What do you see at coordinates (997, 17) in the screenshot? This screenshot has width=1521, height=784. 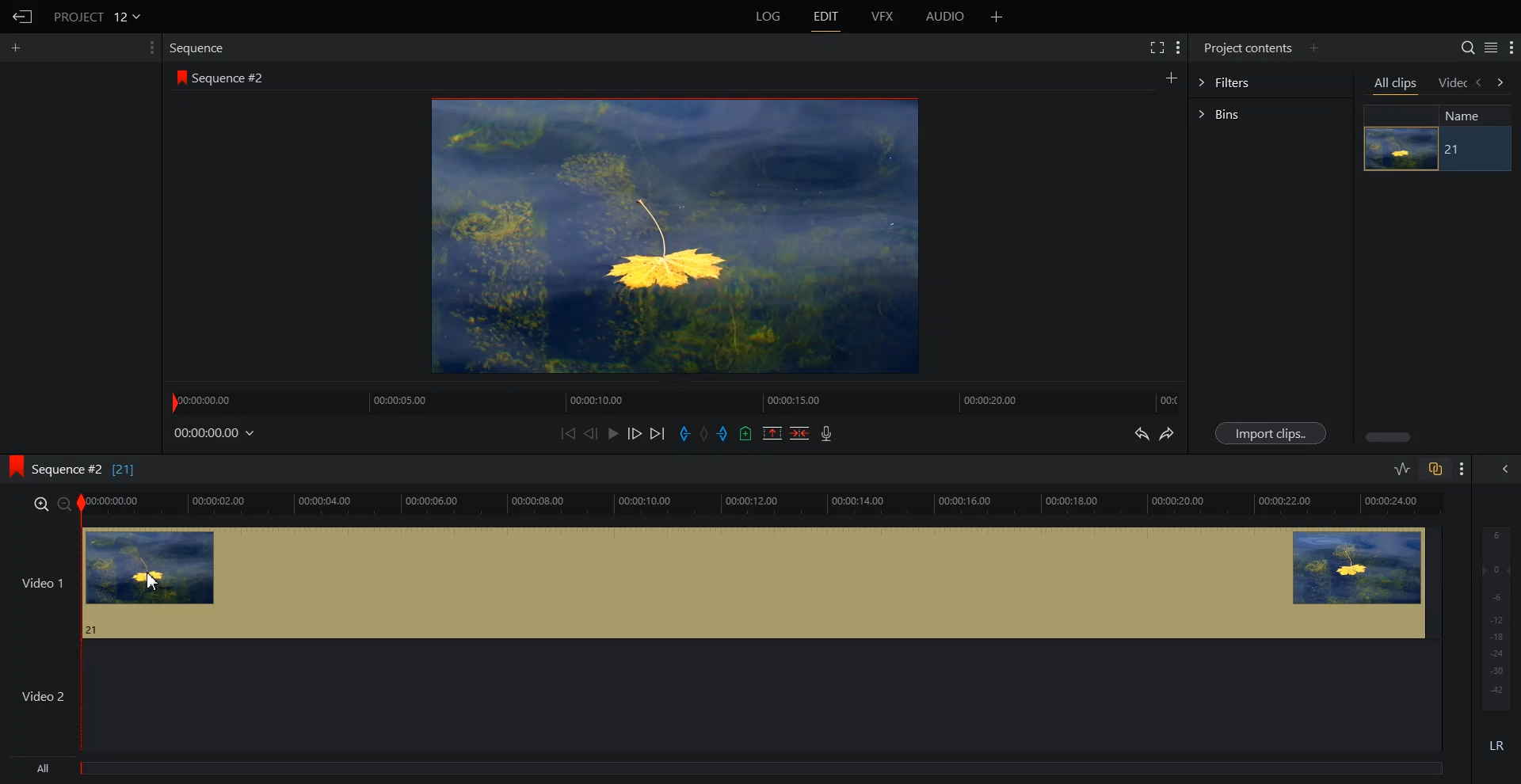 I see `Add File` at bounding box center [997, 17].